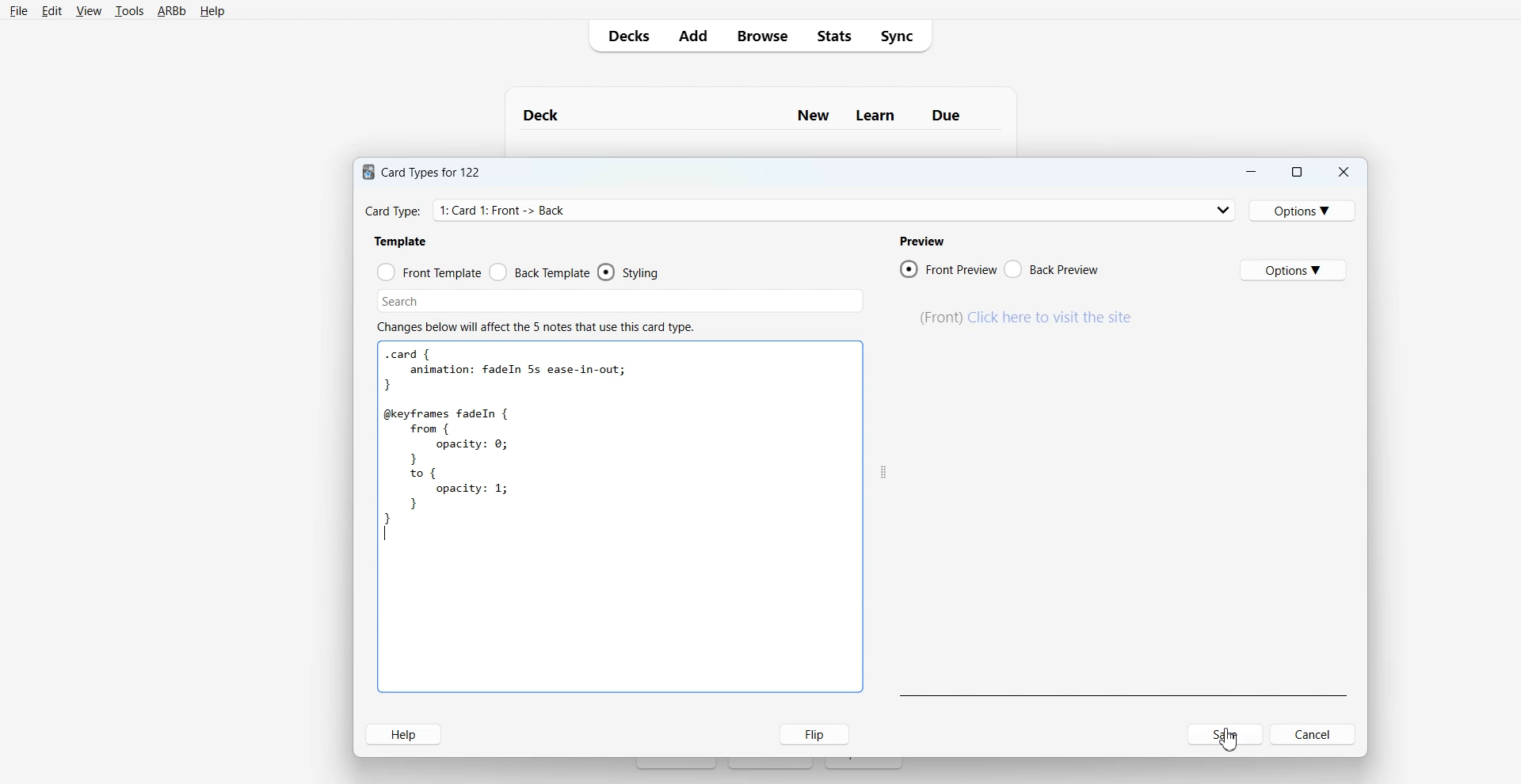 The image size is (1521, 784). Describe the element at coordinates (1297, 170) in the screenshot. I see `Maximize` at that location.